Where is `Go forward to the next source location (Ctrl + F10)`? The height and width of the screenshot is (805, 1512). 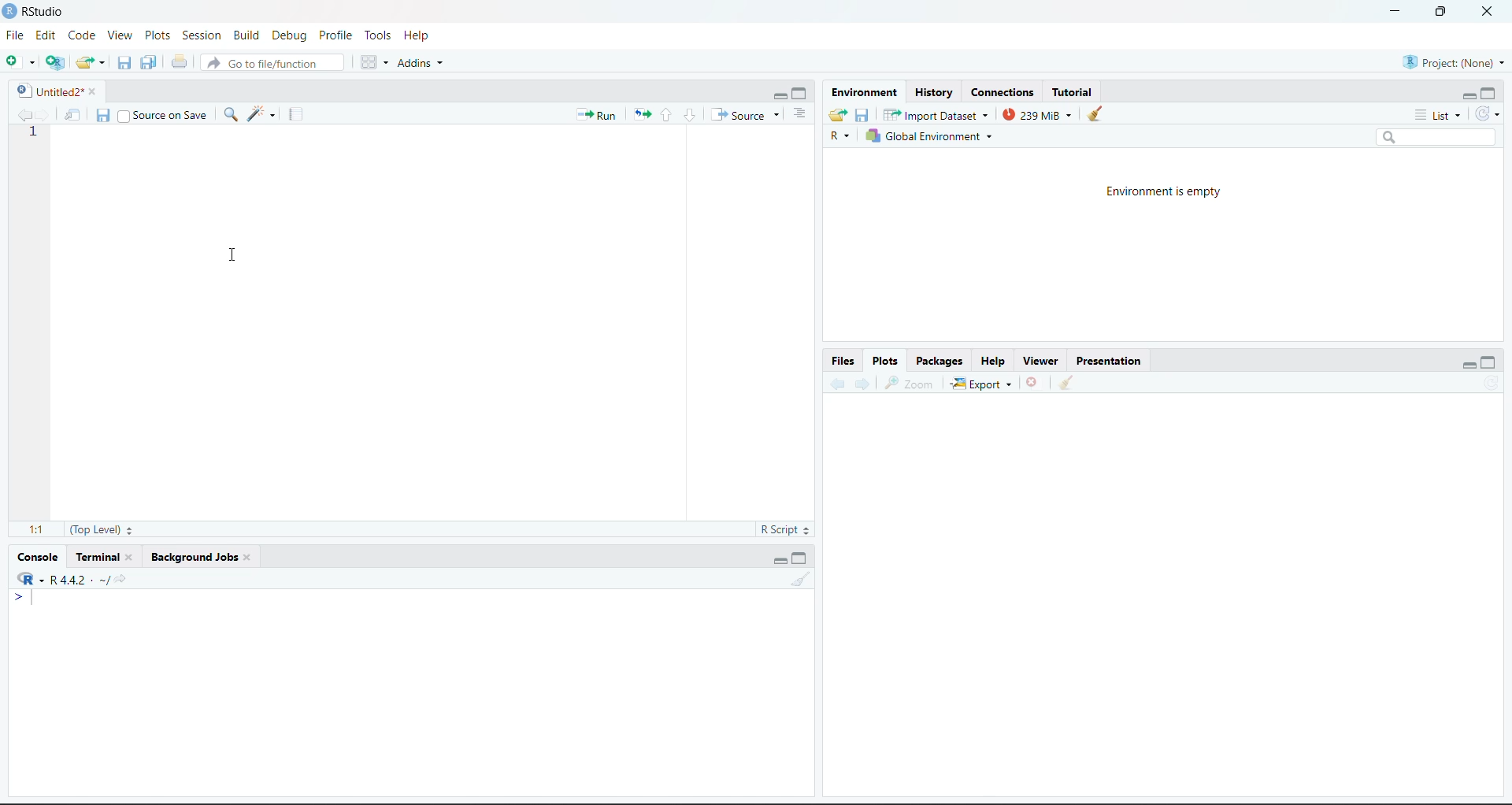 Go forward to the next source location (Ctrl + F10) is located at coordinates (45, 113).